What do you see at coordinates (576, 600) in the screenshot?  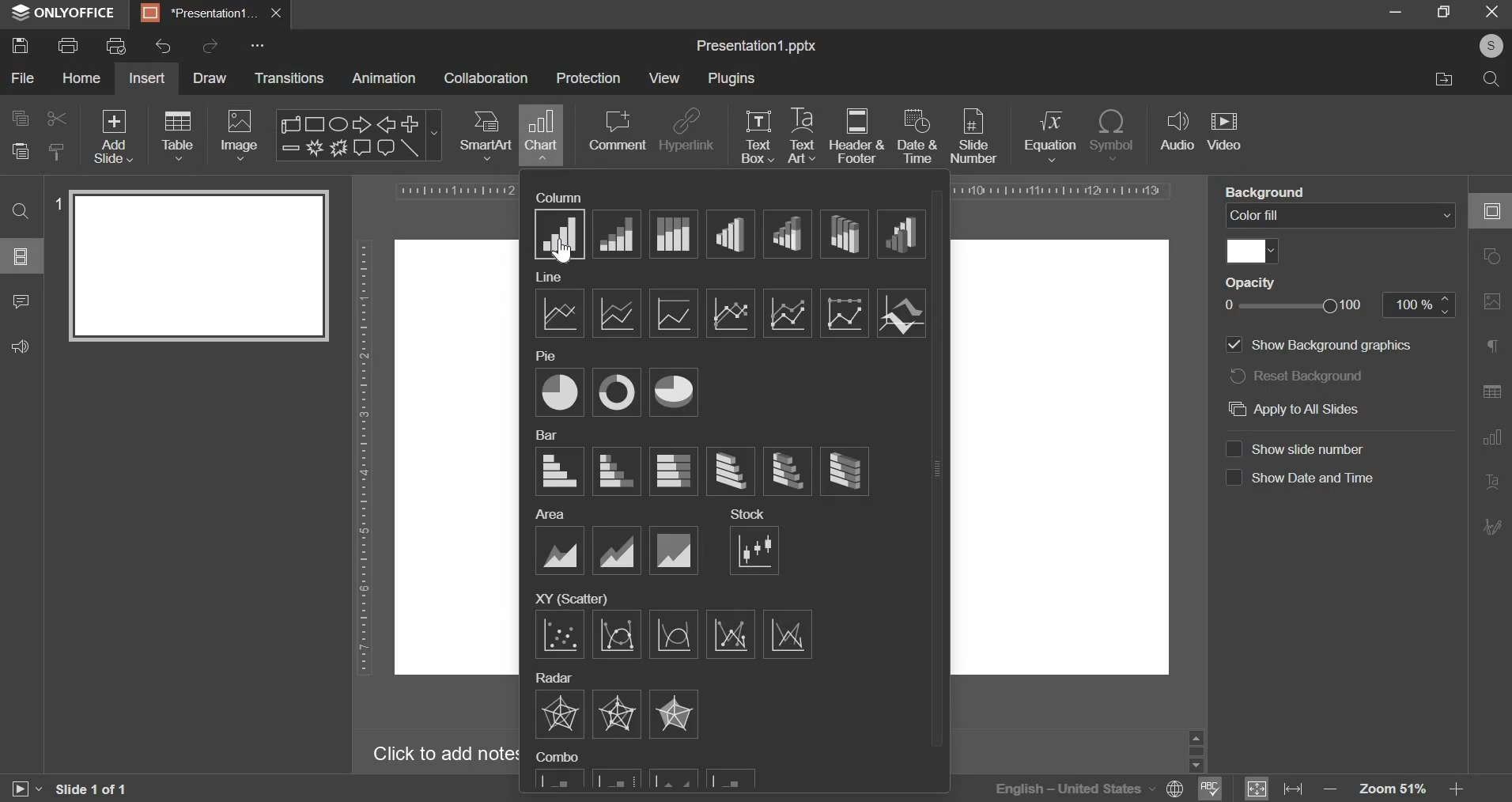 I see `xy (scatter)` at bounding box center [576, 600].